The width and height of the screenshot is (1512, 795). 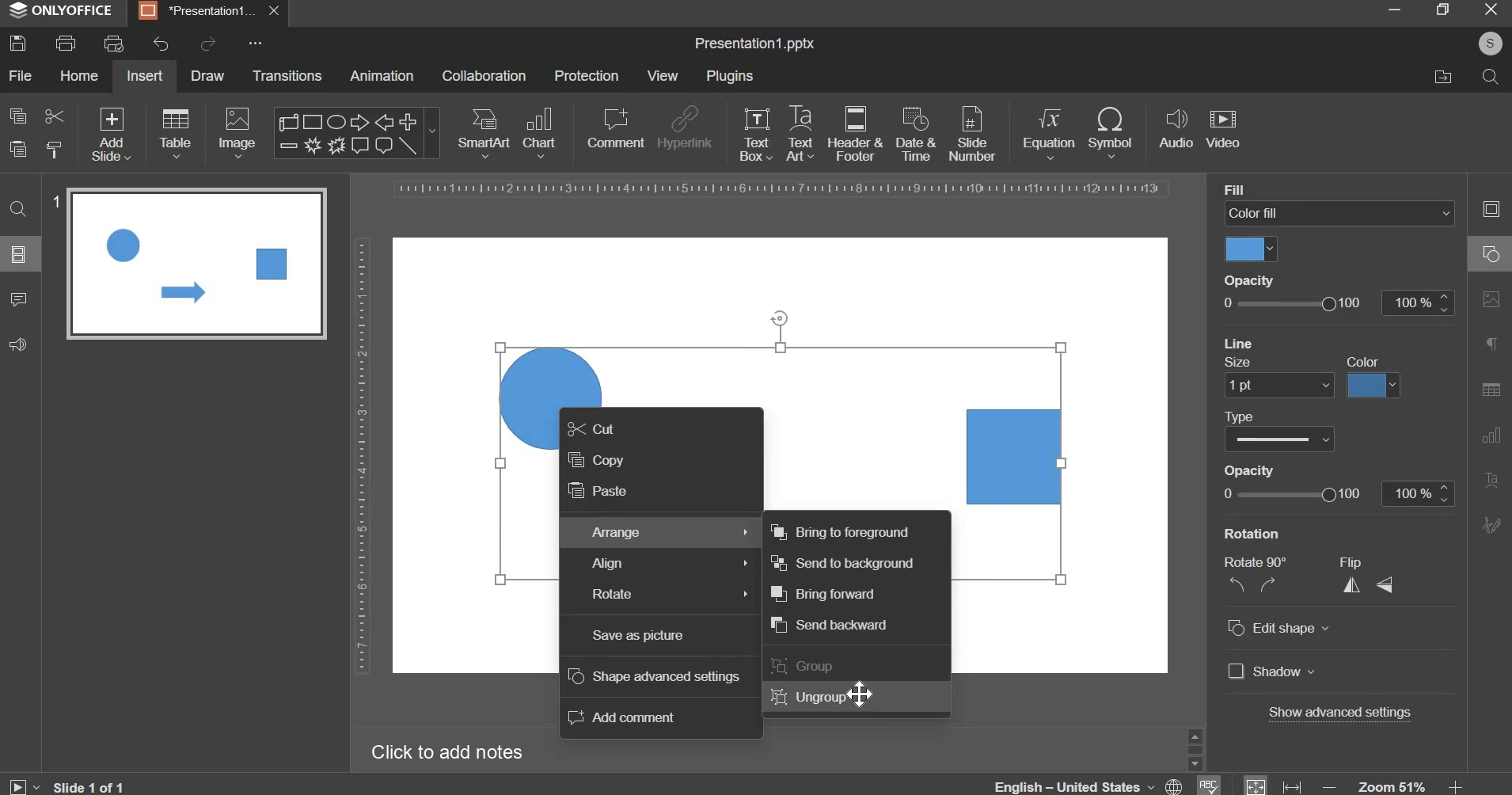 What do you see at coordinates (756, 134) in the screenshot?
I see `text box` at bounding box center [756, 134].